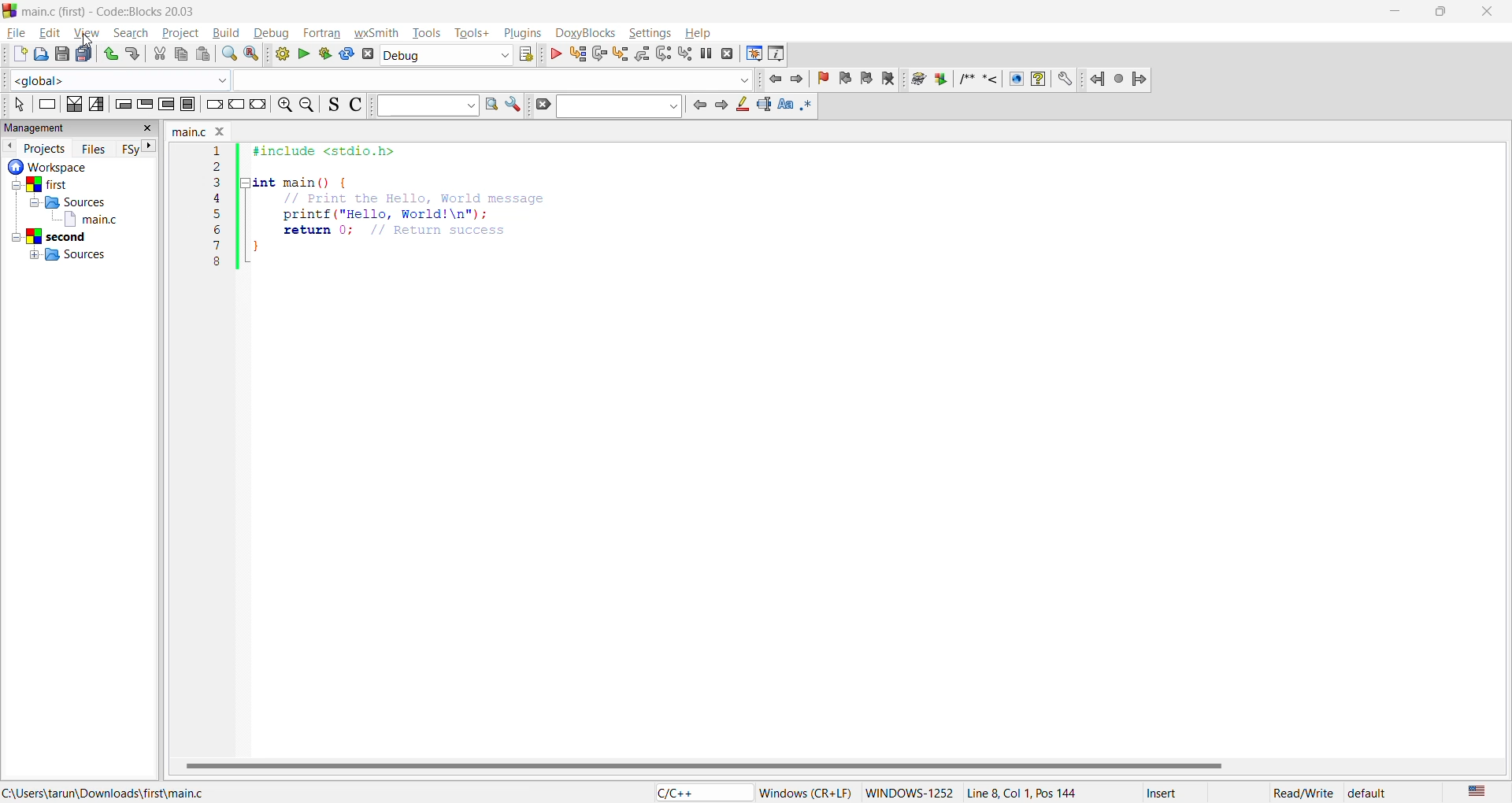  Describe the element at coordinates (720, 105) in the screenshot. I see `next` at that location.